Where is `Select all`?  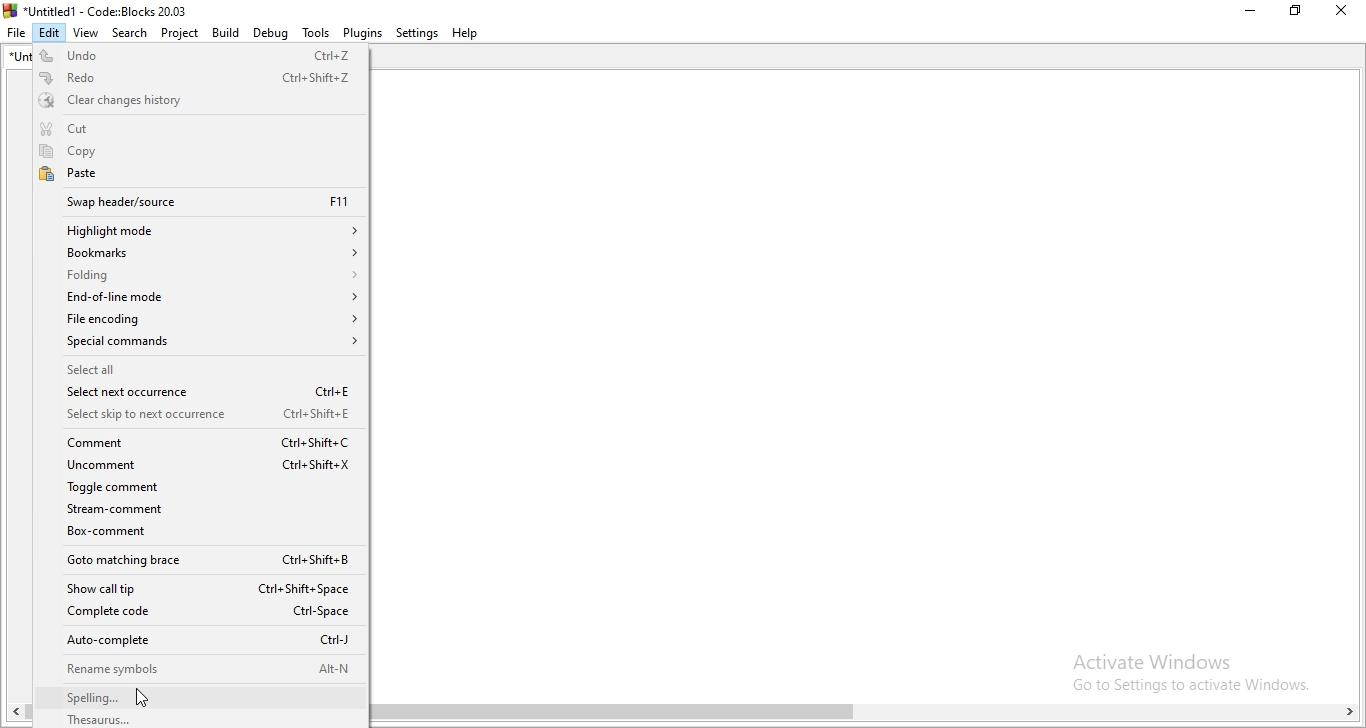 Select all is located at coordinates (197, 369).